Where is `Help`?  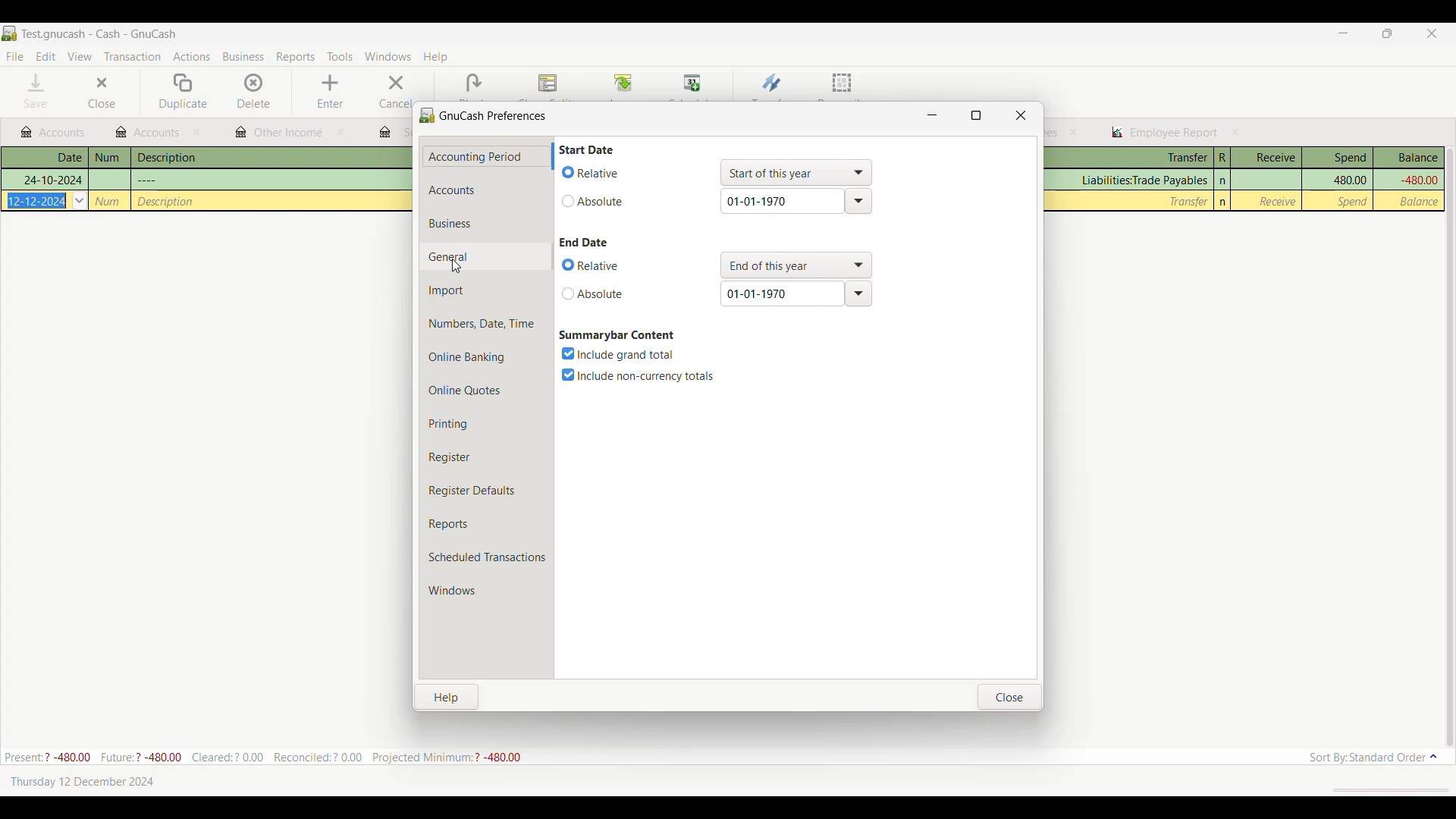
Help is located at coordinates (447, 698).